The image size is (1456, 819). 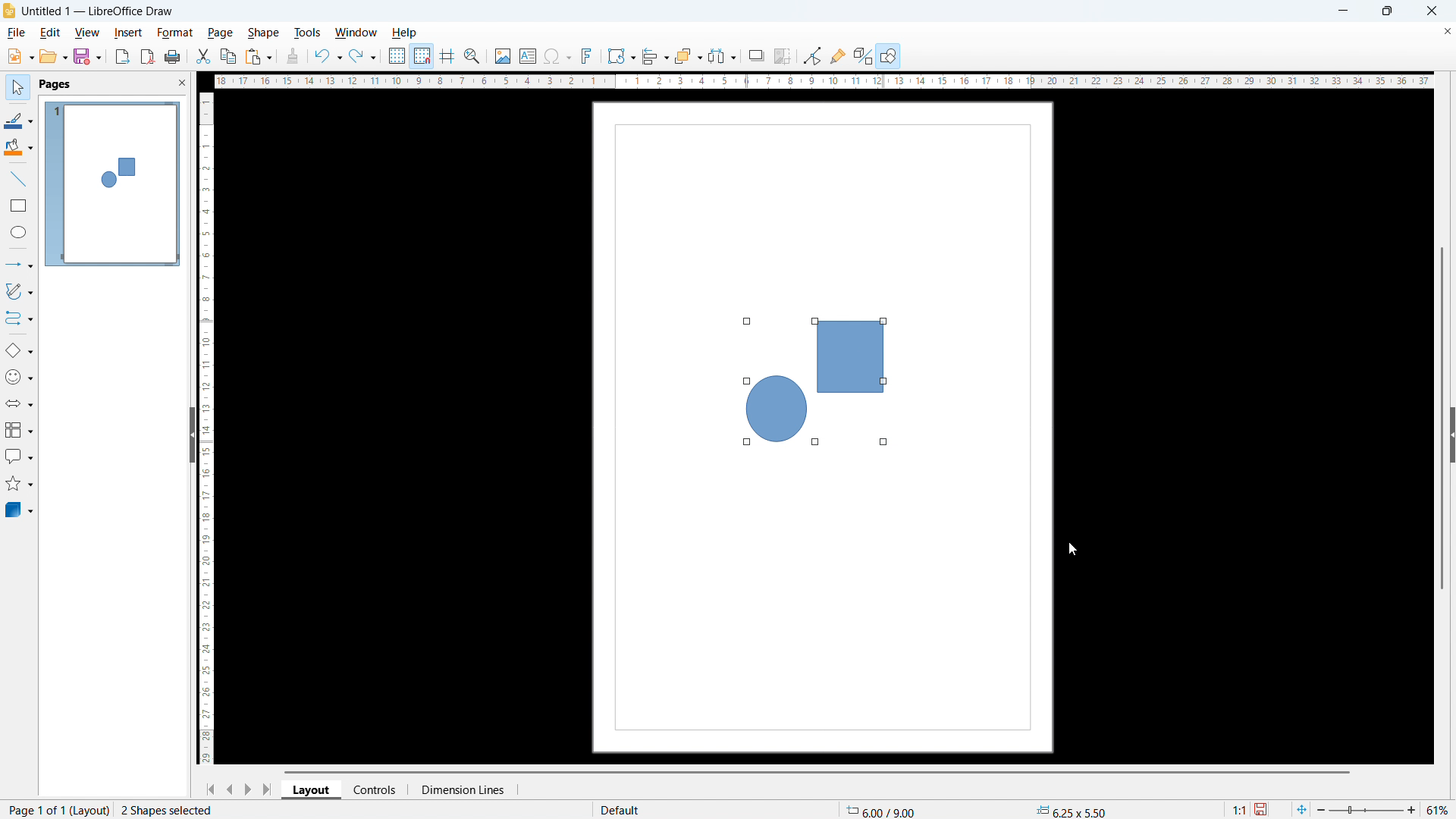 I want to click on snap to grid, so click(x=422, y=55).